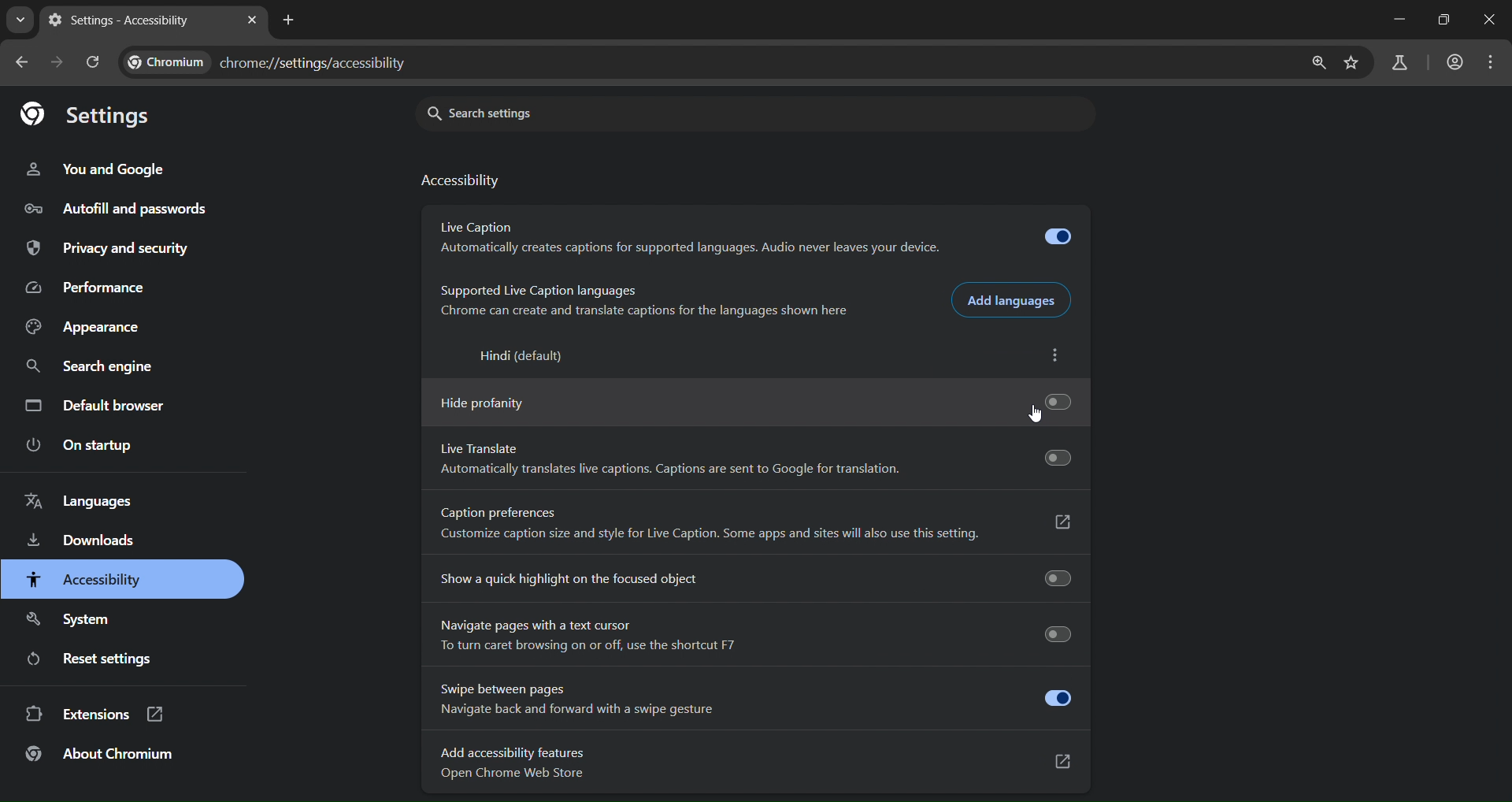  I want to click on Add accessibility features
Open Chrome Web Store, so click(750, 767).